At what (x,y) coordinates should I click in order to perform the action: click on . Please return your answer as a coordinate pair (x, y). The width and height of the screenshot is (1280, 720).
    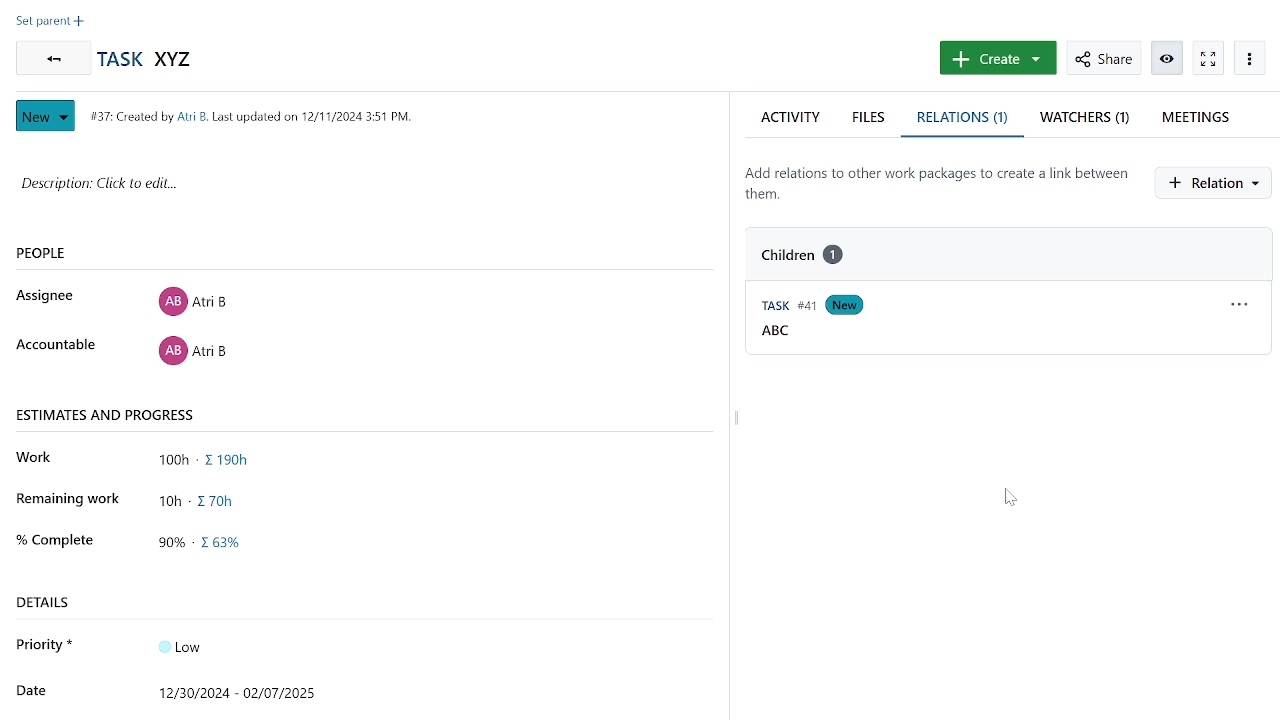
    Looking at the image, I should click on (192, 645).